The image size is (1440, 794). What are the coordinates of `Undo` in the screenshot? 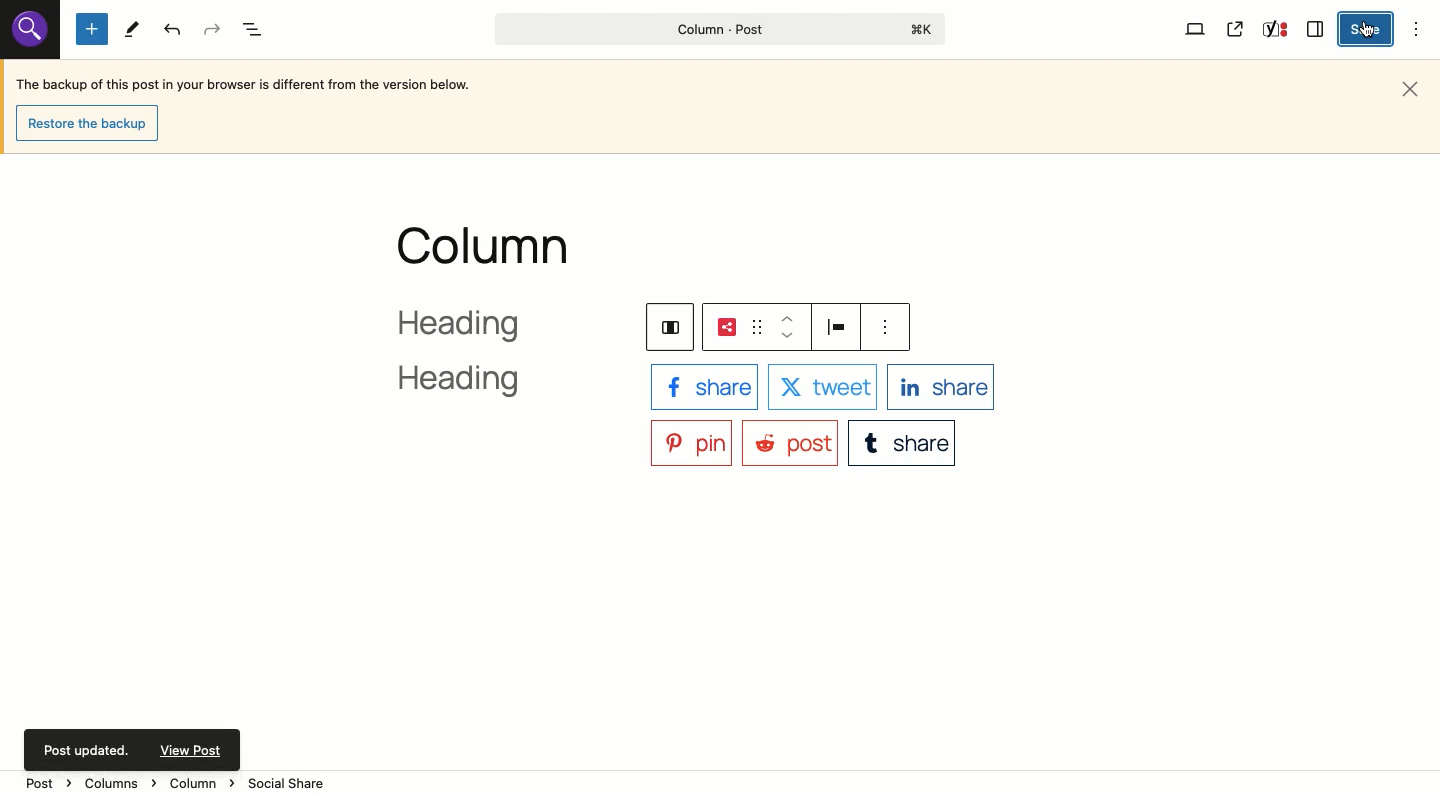 It's located at (174, 30).